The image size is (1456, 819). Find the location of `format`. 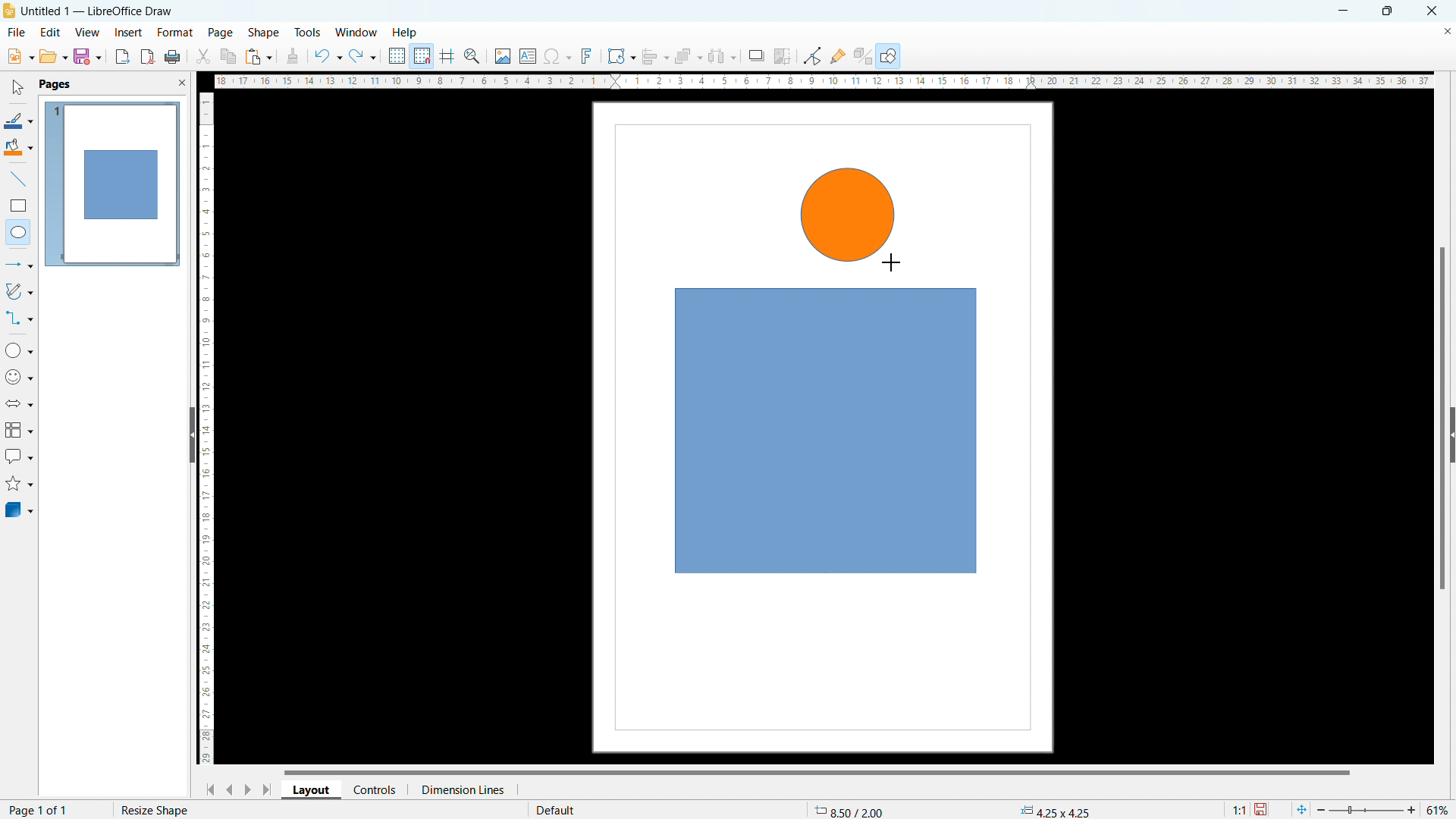

format is located at coordinates (174, 33).